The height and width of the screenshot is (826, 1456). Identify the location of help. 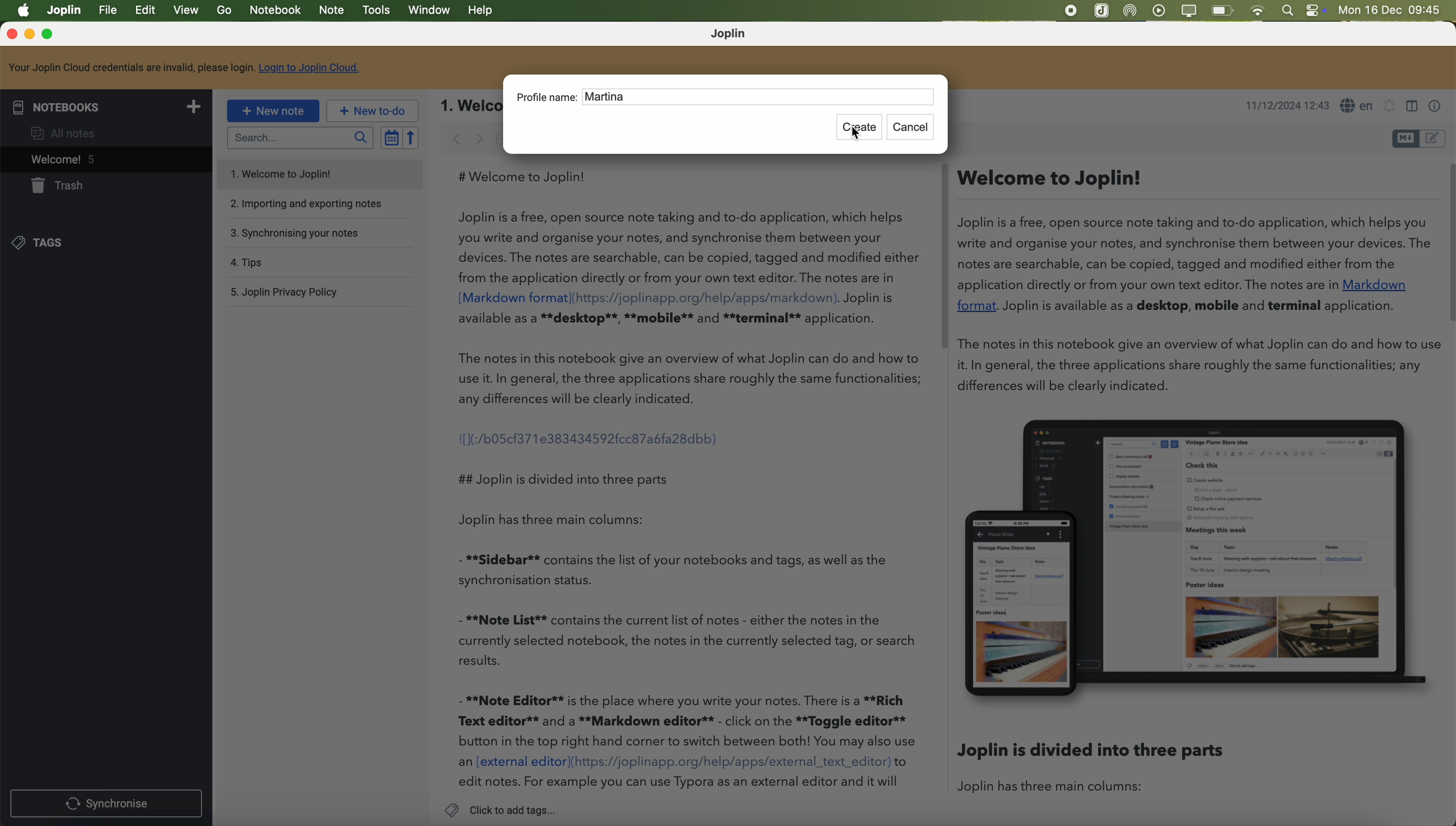
(482, 11).